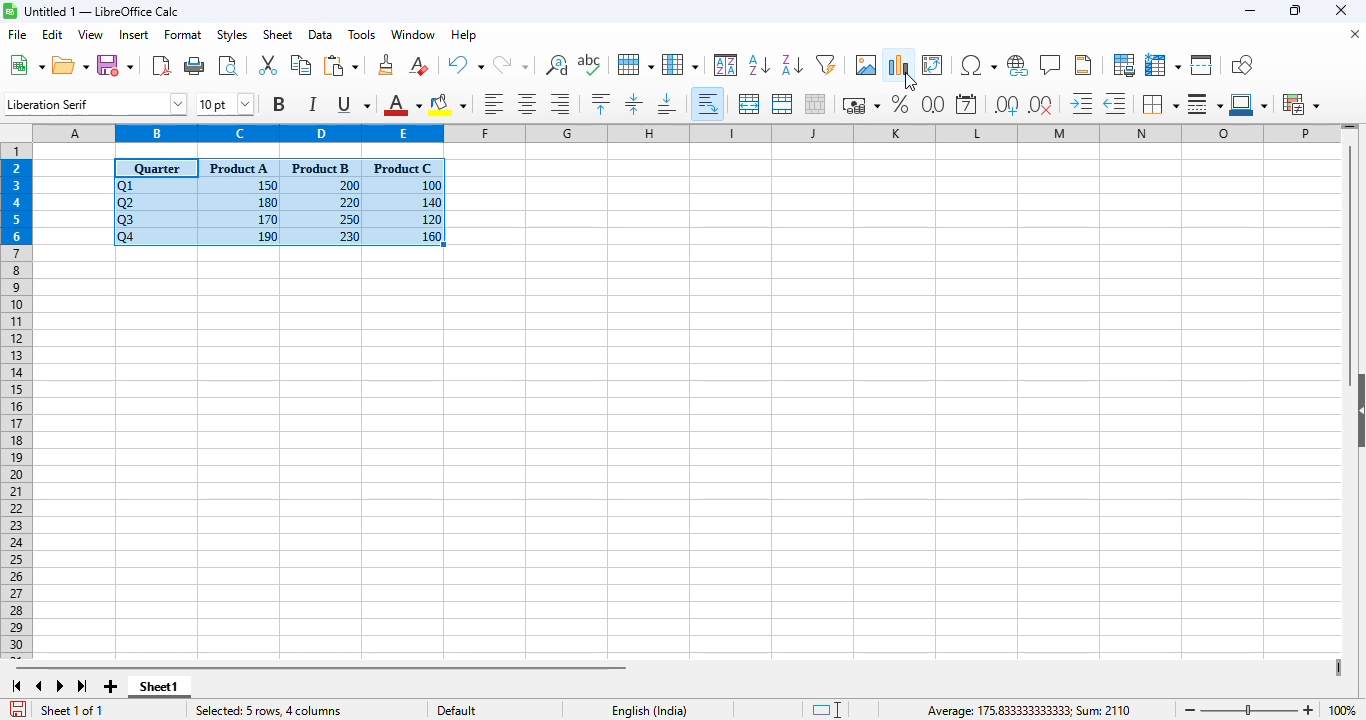 Image resolution: width=1366 pixels, height=720 pixels. I want to click on view, so click(90, 34).